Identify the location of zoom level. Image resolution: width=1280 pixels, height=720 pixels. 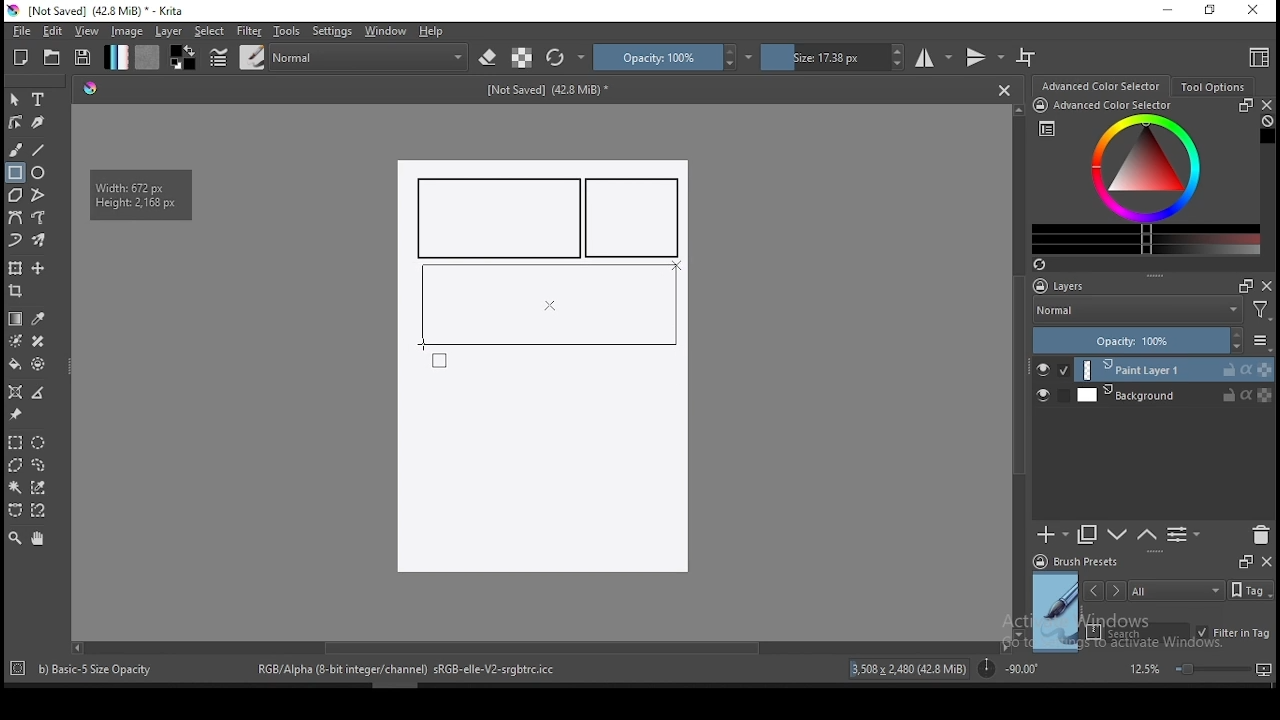
(1200, 668).